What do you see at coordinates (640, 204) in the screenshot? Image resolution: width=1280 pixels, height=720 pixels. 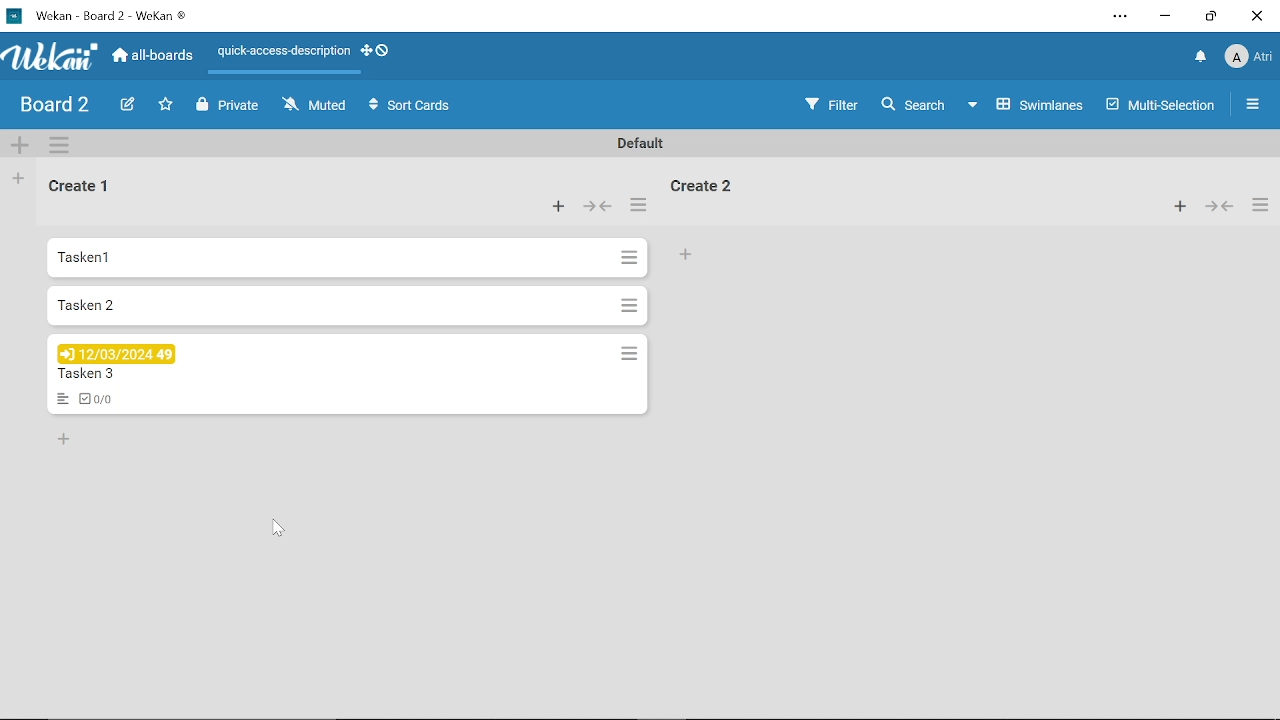 I see `More` at bounding box center [640, 204].